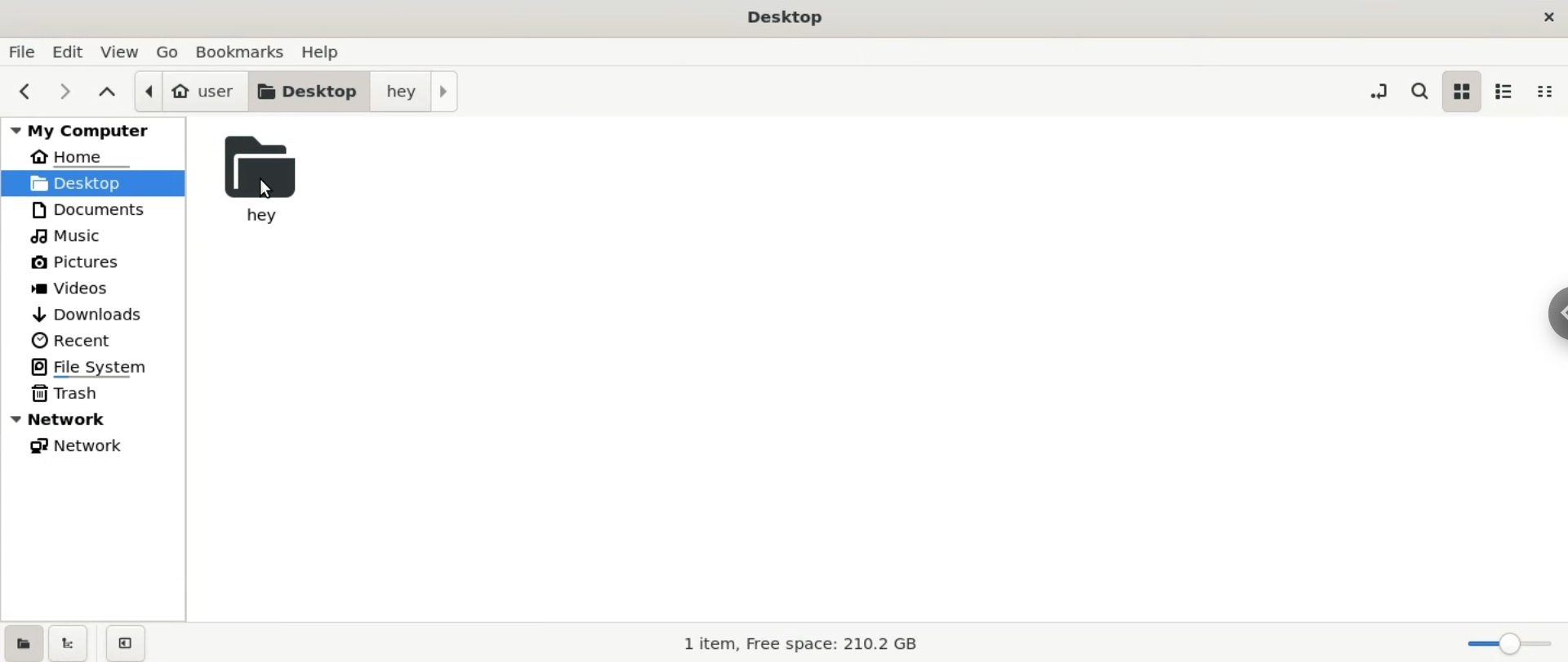  What do you see at coordinates (328, 51) in the screenshot?
I see `help` at bounding box center [328, 51].